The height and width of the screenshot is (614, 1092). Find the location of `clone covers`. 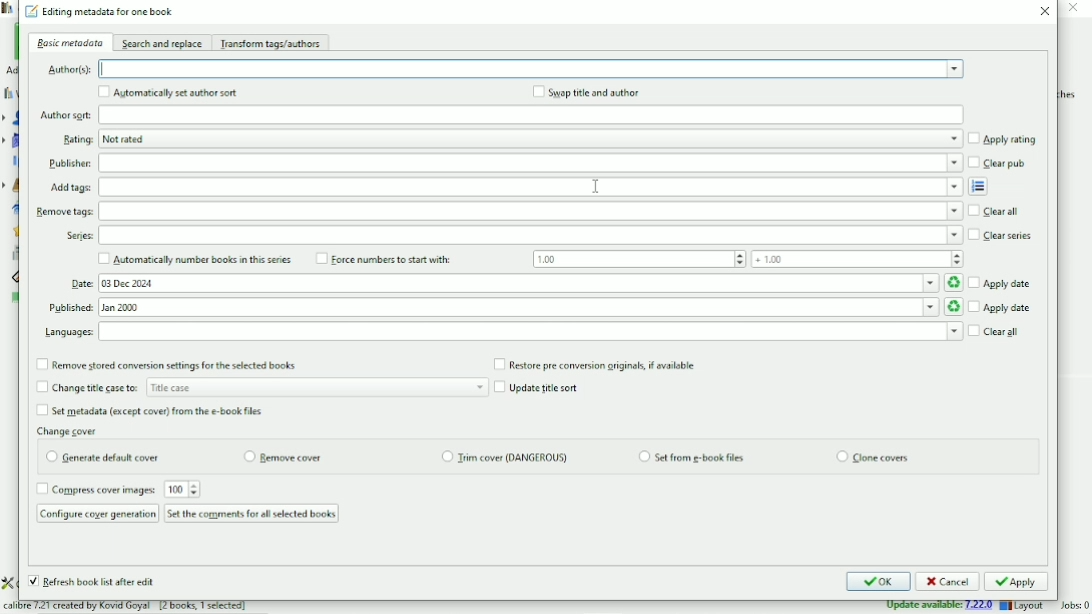

clone covers is located at coordinates (873, 456).